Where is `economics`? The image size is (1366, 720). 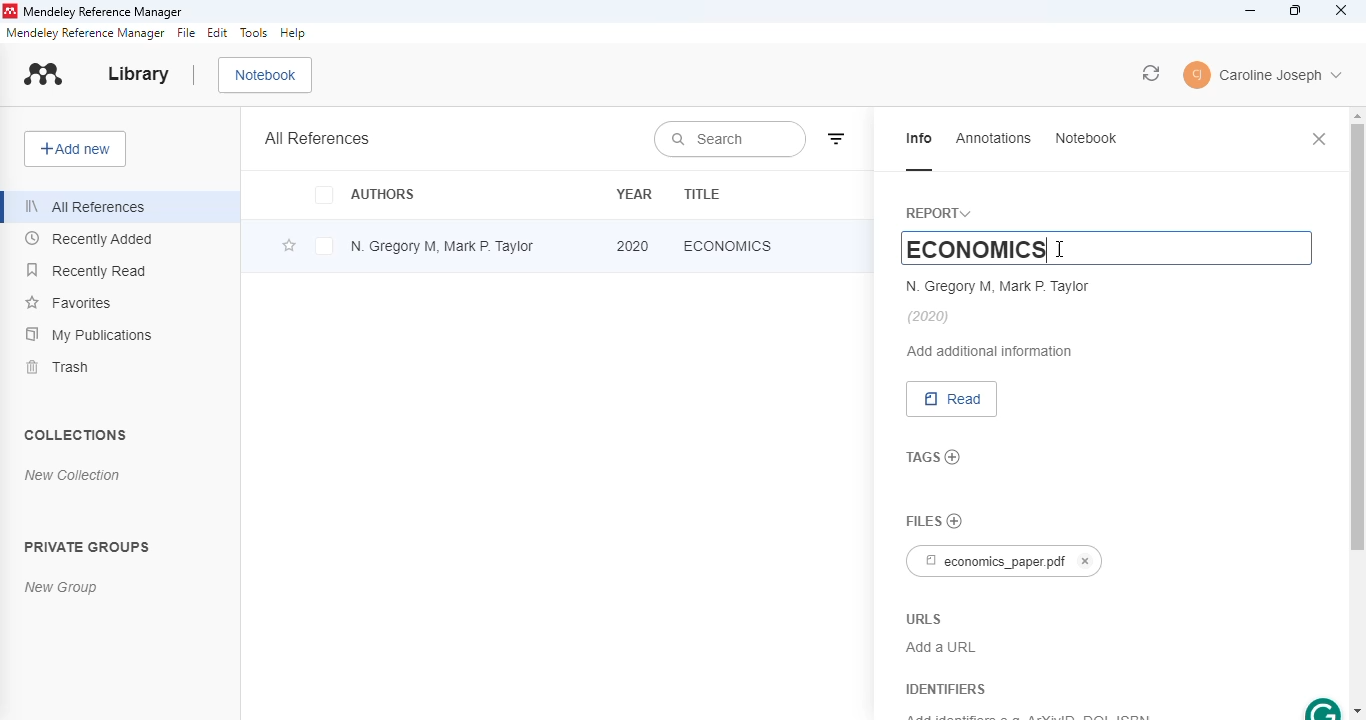 economics is located at coordinates (728, 245).